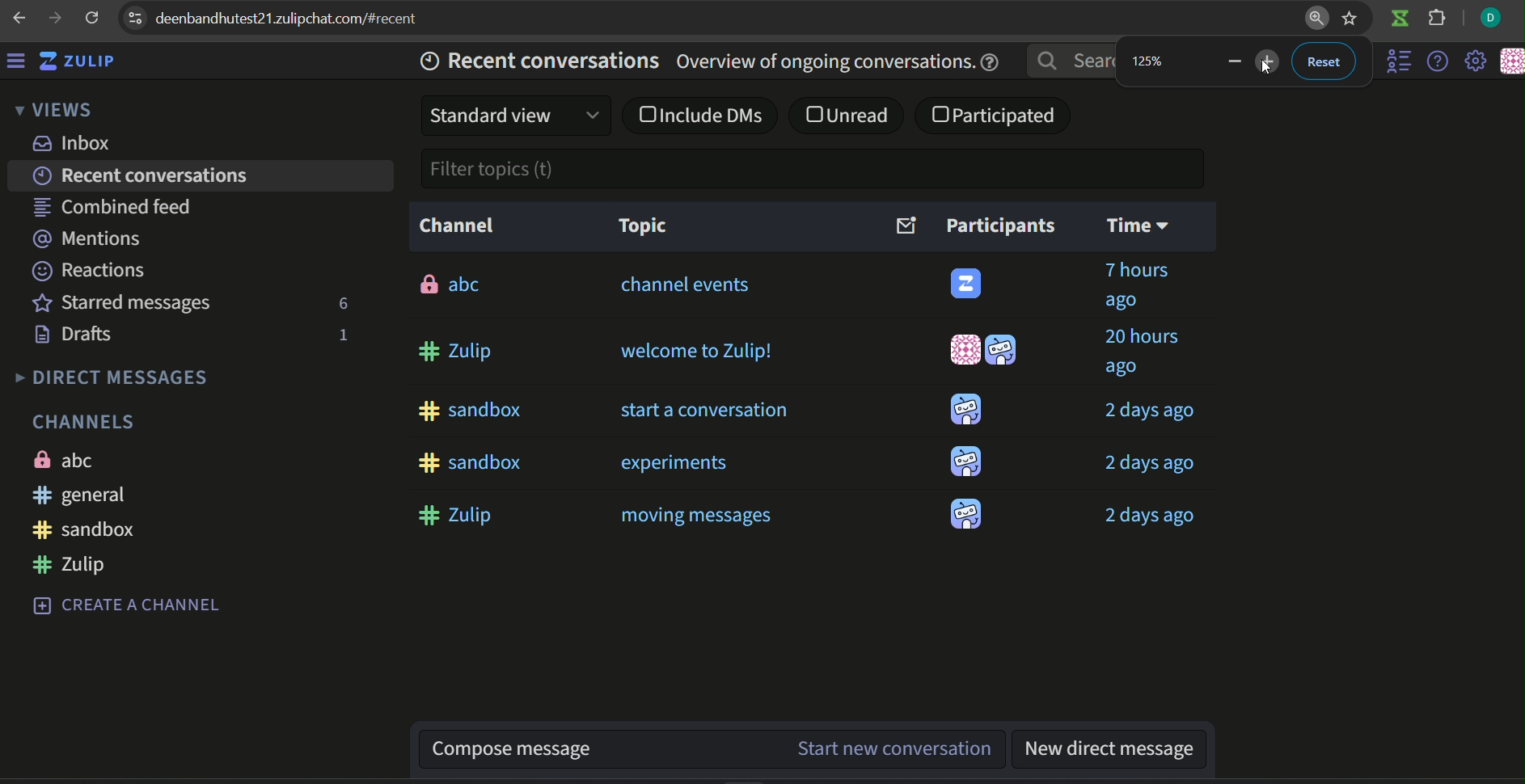 This screenshot has height=784, width=1525. I want to click on #zulip, so click(458, 351).